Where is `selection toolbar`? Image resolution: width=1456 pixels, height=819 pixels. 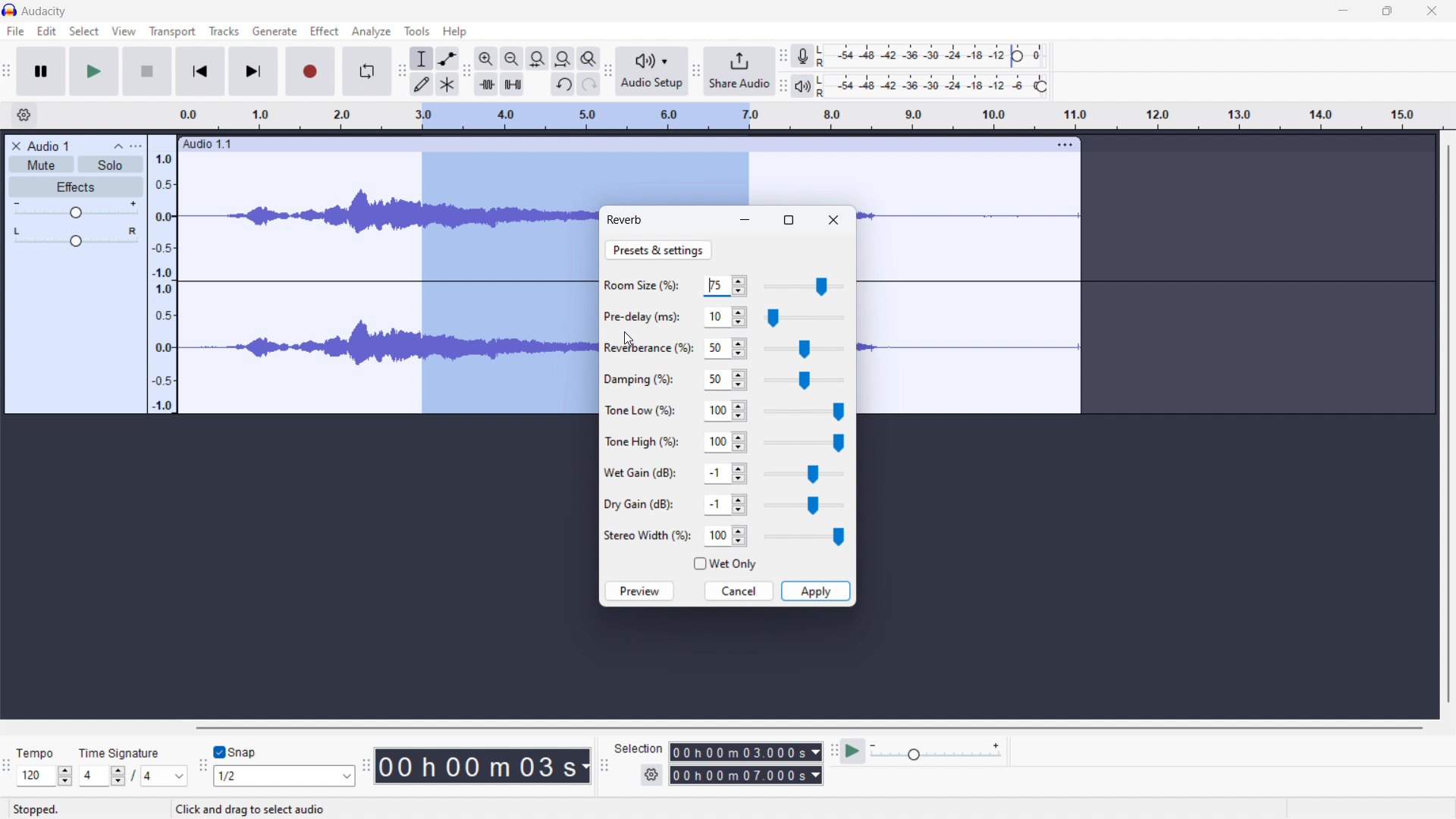 selection toolbar is located at coordinates (604, 766).